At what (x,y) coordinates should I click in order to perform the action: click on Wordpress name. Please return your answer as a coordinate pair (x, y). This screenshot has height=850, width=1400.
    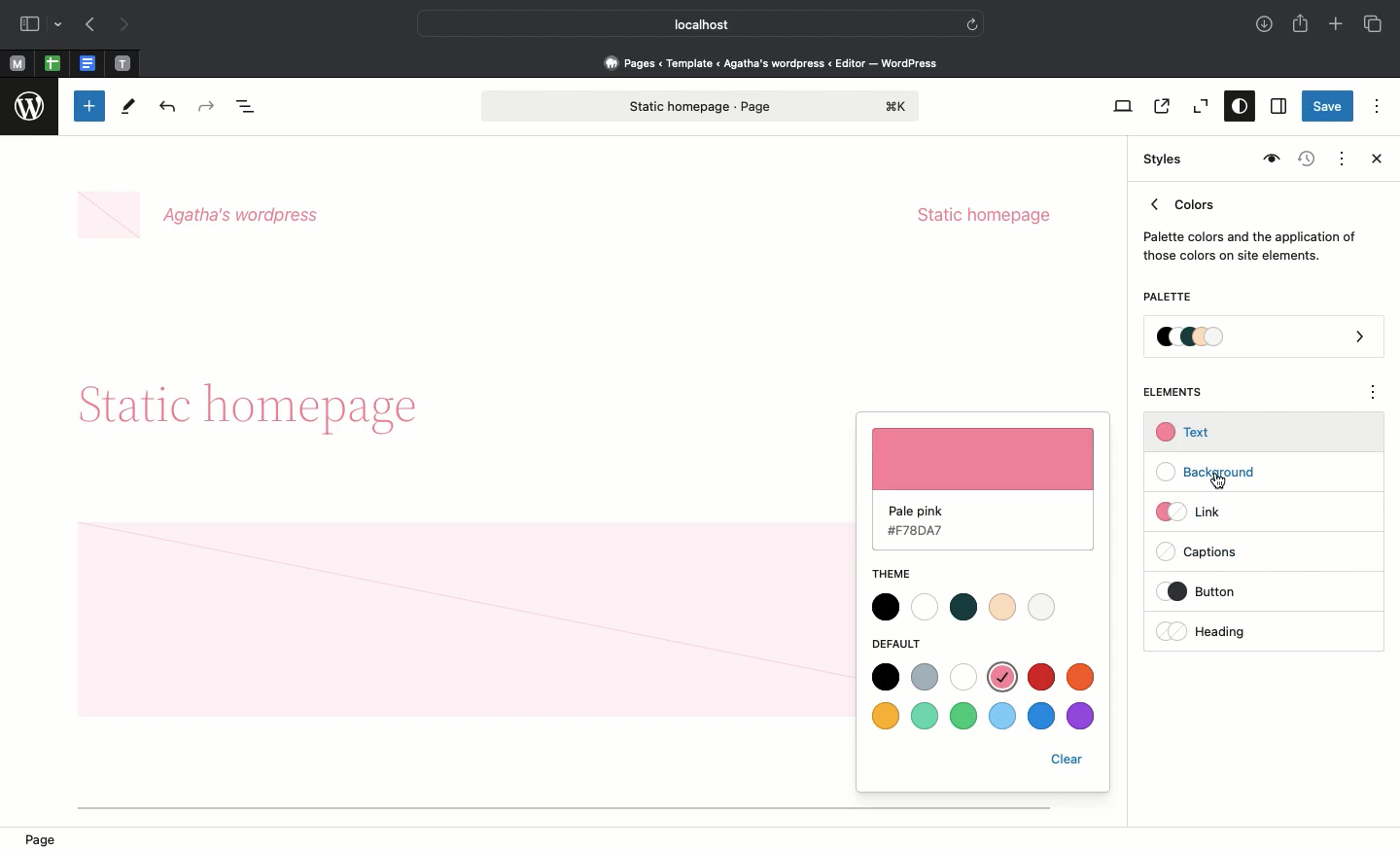
    Looking at the image, I should click on (202, 216).